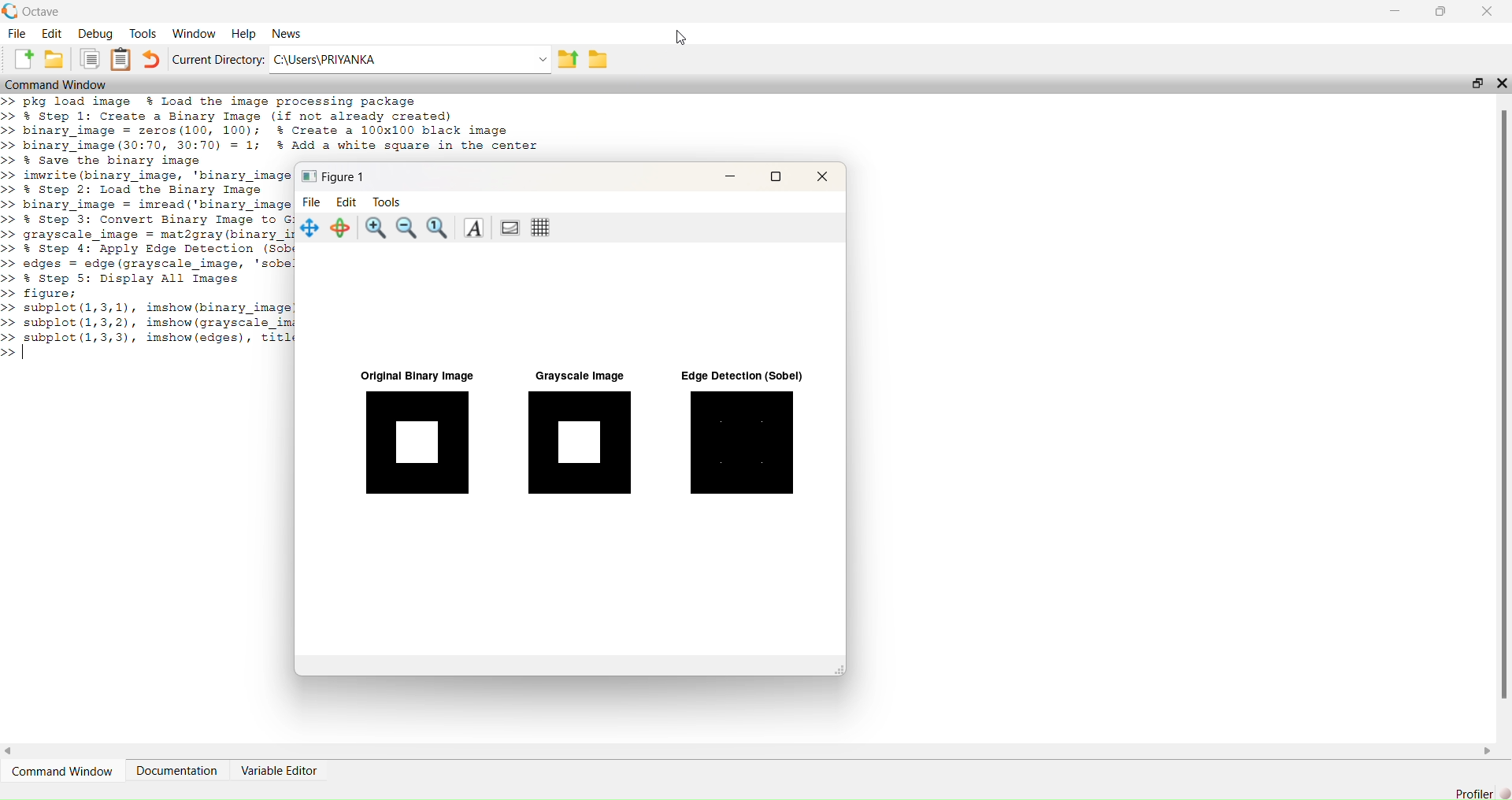  I want to click on Help, so click(245, 33).